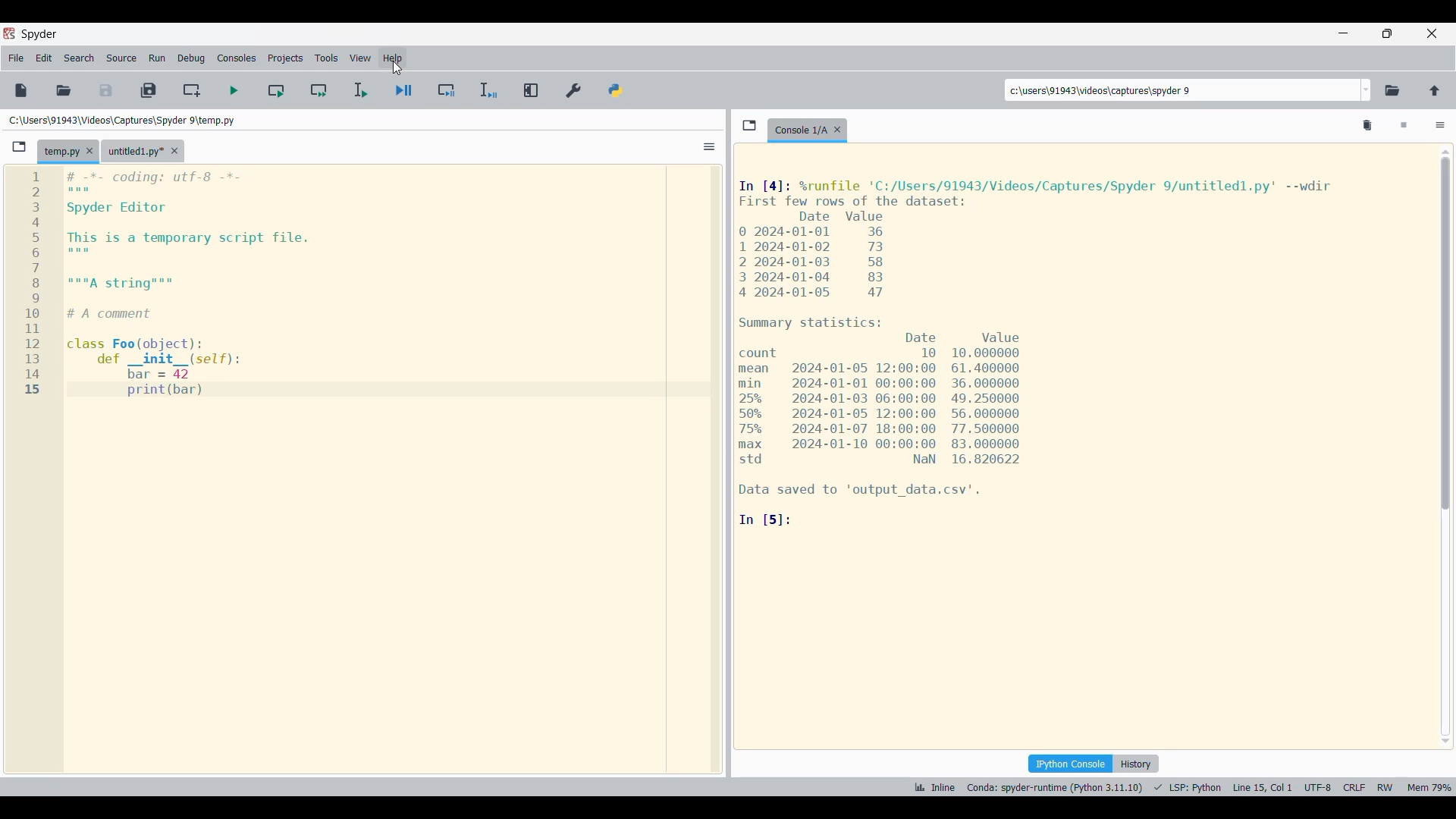  I want to click on Software name, so click(39, 34).